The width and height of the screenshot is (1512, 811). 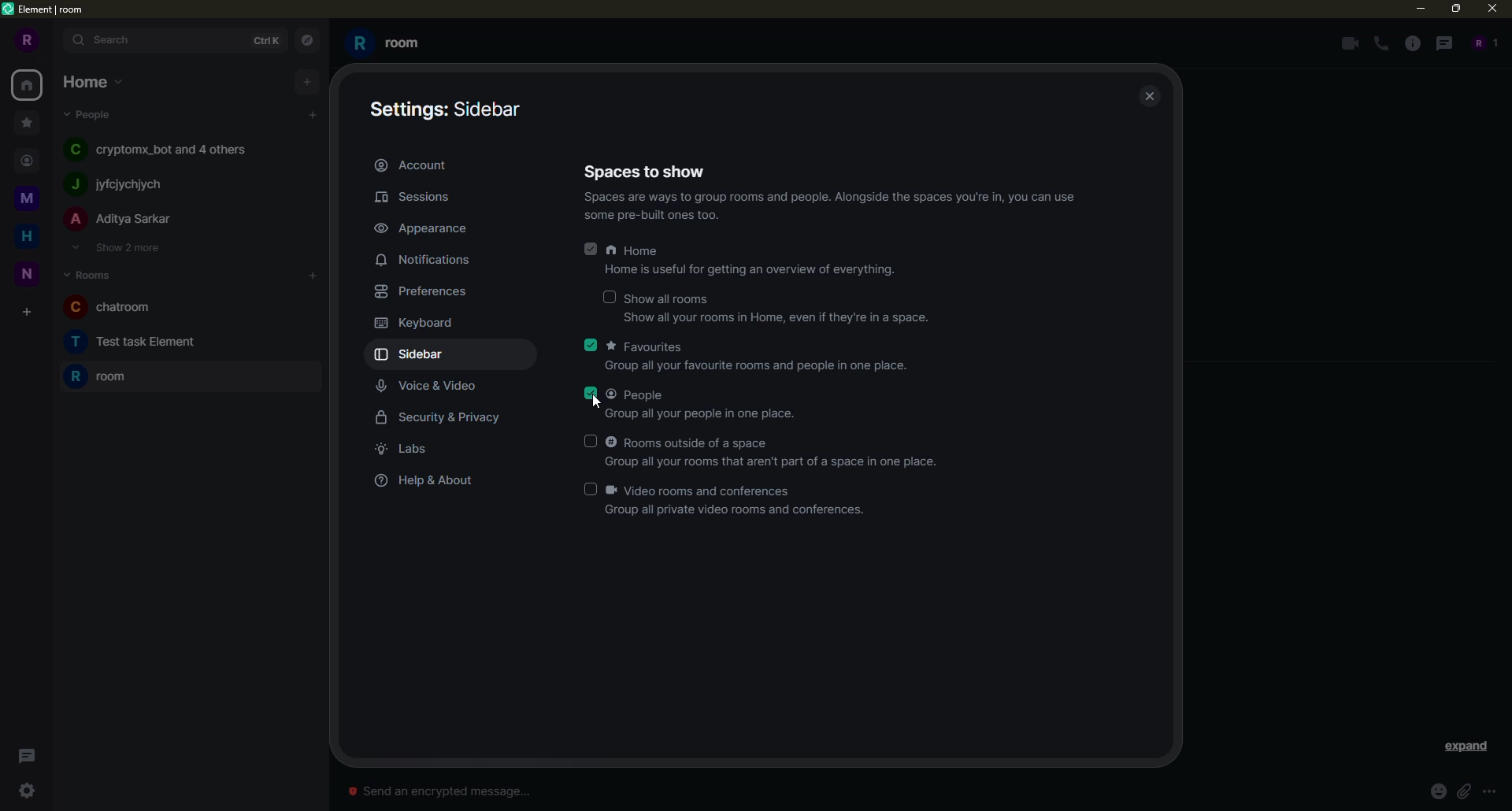 What do you see at coordinates (27, 274) in the screenshot?
I see `create space` at bounding box center [27, 274].